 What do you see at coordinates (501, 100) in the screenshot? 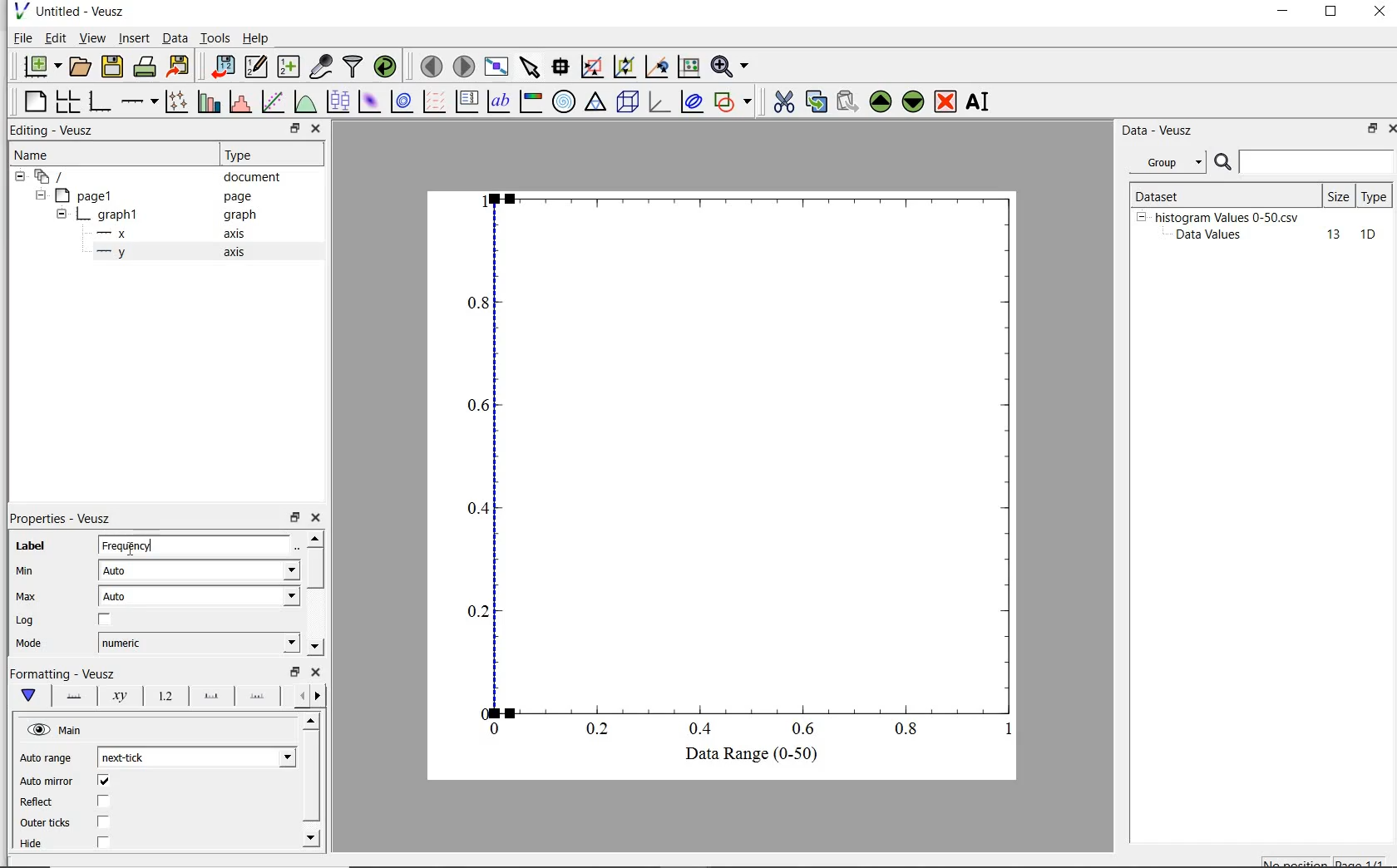
I see `text label` at bounding box center [501, 100].